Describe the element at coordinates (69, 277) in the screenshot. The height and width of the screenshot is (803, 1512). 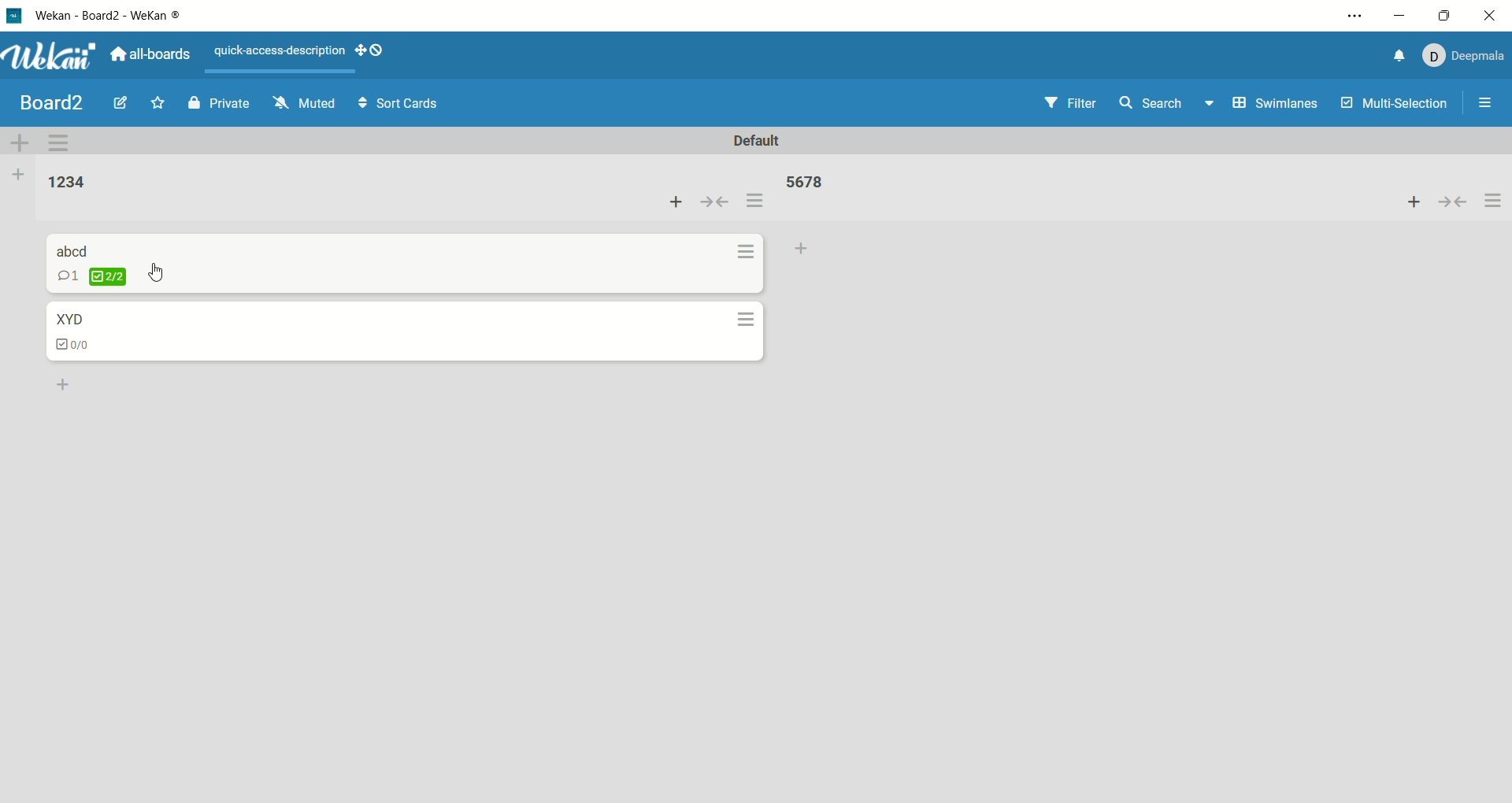
I see `comment` at that location.